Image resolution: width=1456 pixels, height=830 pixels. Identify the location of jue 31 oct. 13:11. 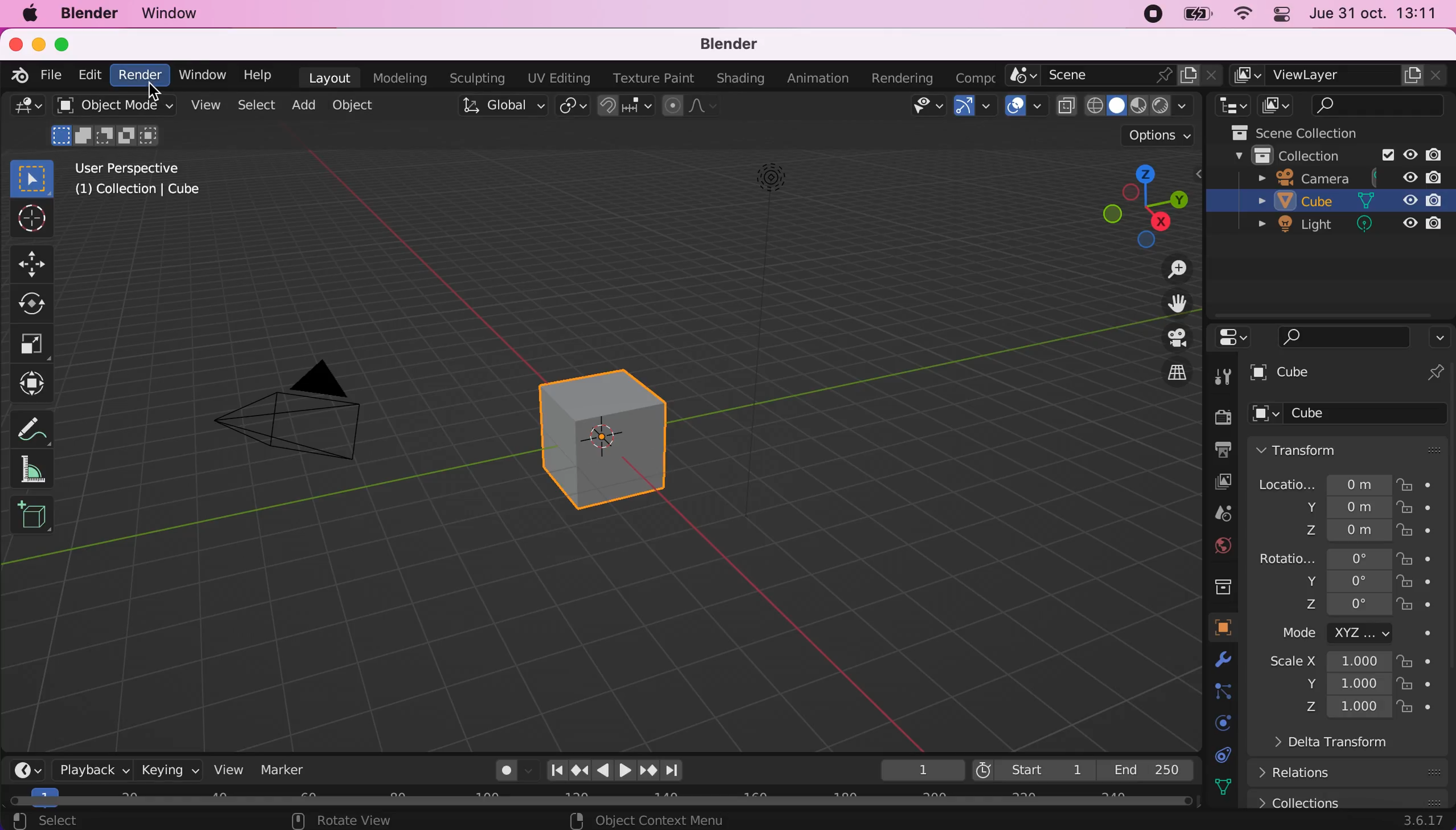
(1375, 14).